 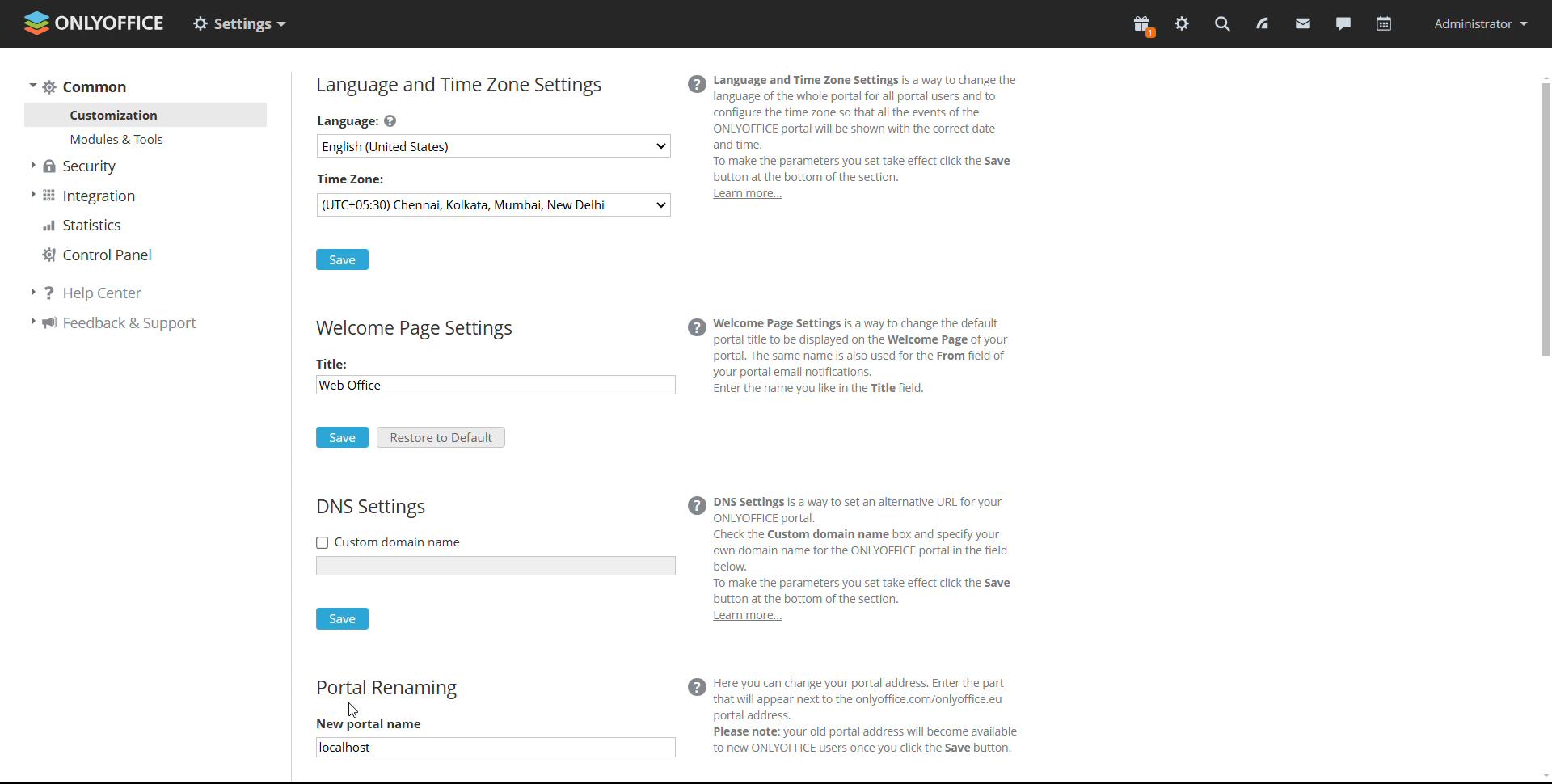 I want to click on @ Language and Time Zone Settings is a way to change the
language of the whole portal for al portal users and to
configure the time zone so that all the events of the
'ONLYOFFICE portal will be shown with the correct date

| and time.
To make the parameters you set take effect click the Save
button at the bottom of the section., so click(x=877, y=126).